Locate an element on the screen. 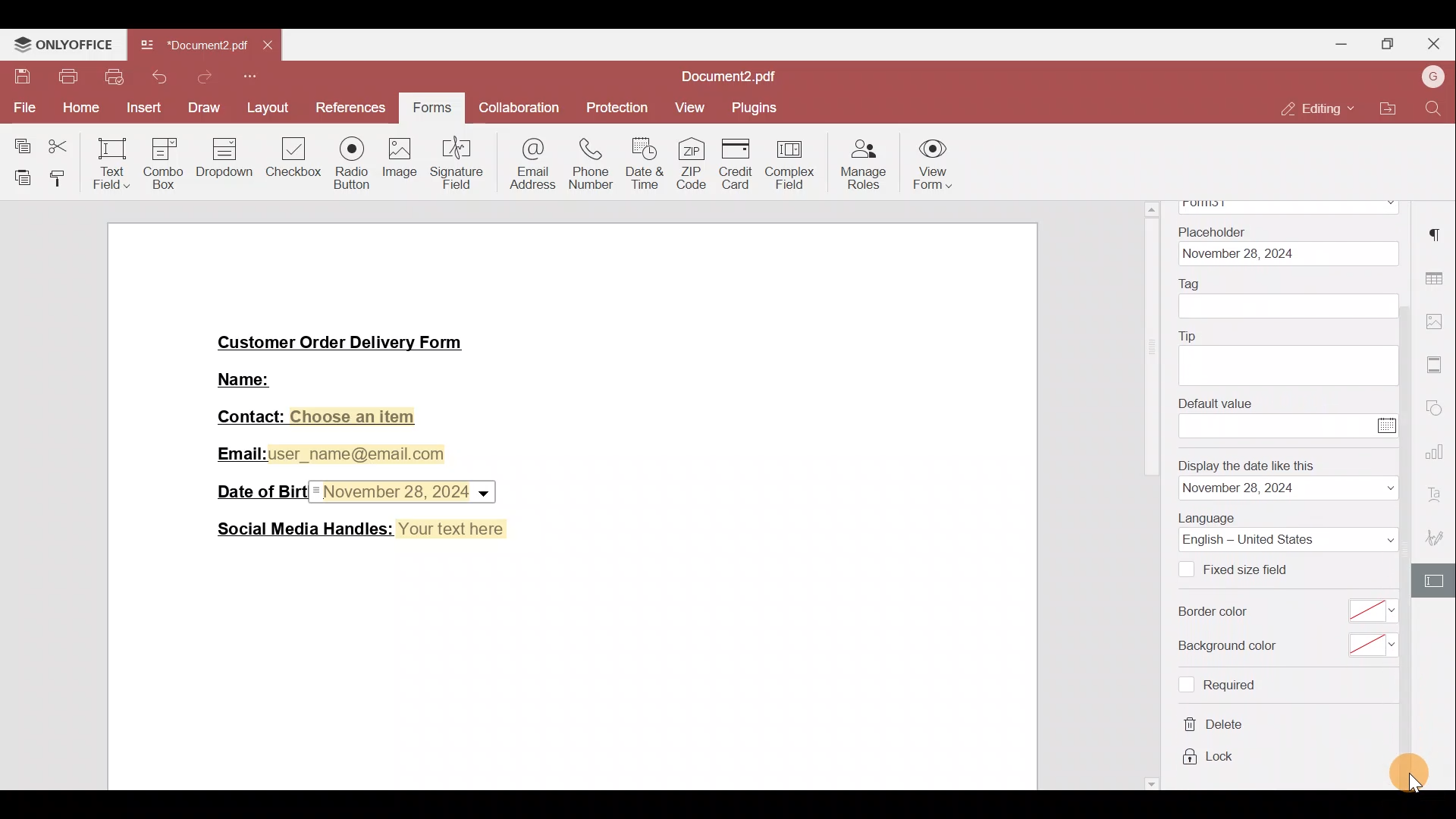 The width and height of the screenshot is (1456, 819). Chart settings is located at coordinates (1438, 457).